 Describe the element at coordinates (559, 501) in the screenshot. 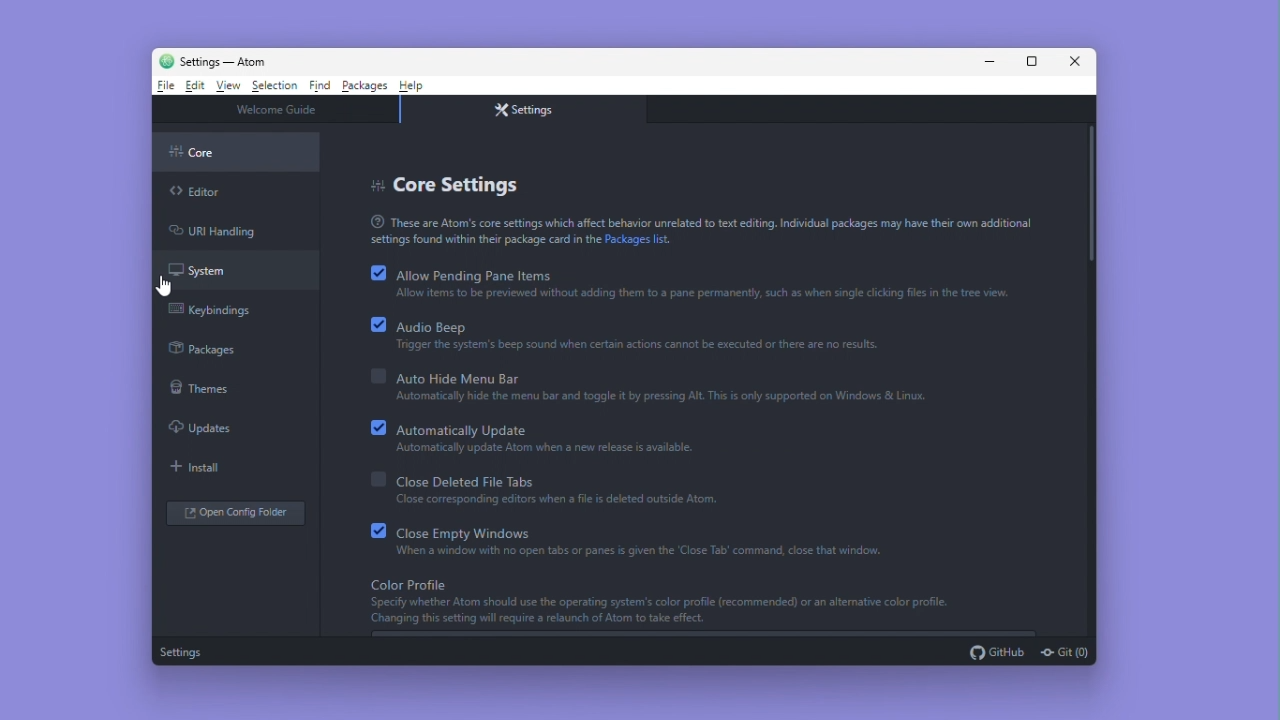

I see `close corresponding editors when a file is deleted outside of ATOM` at that location.